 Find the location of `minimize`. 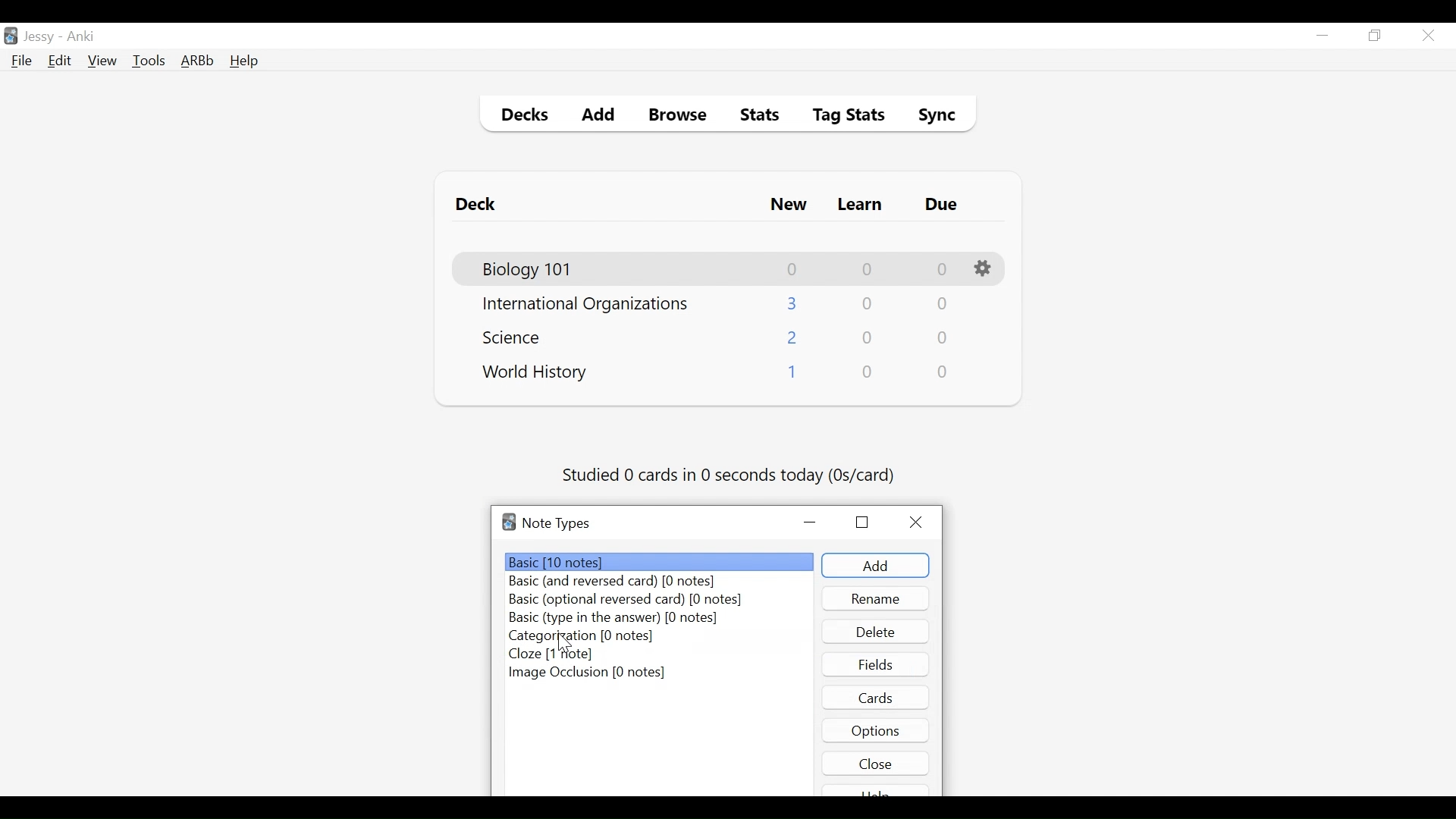

minimize is located at coordinates (1322, 36).